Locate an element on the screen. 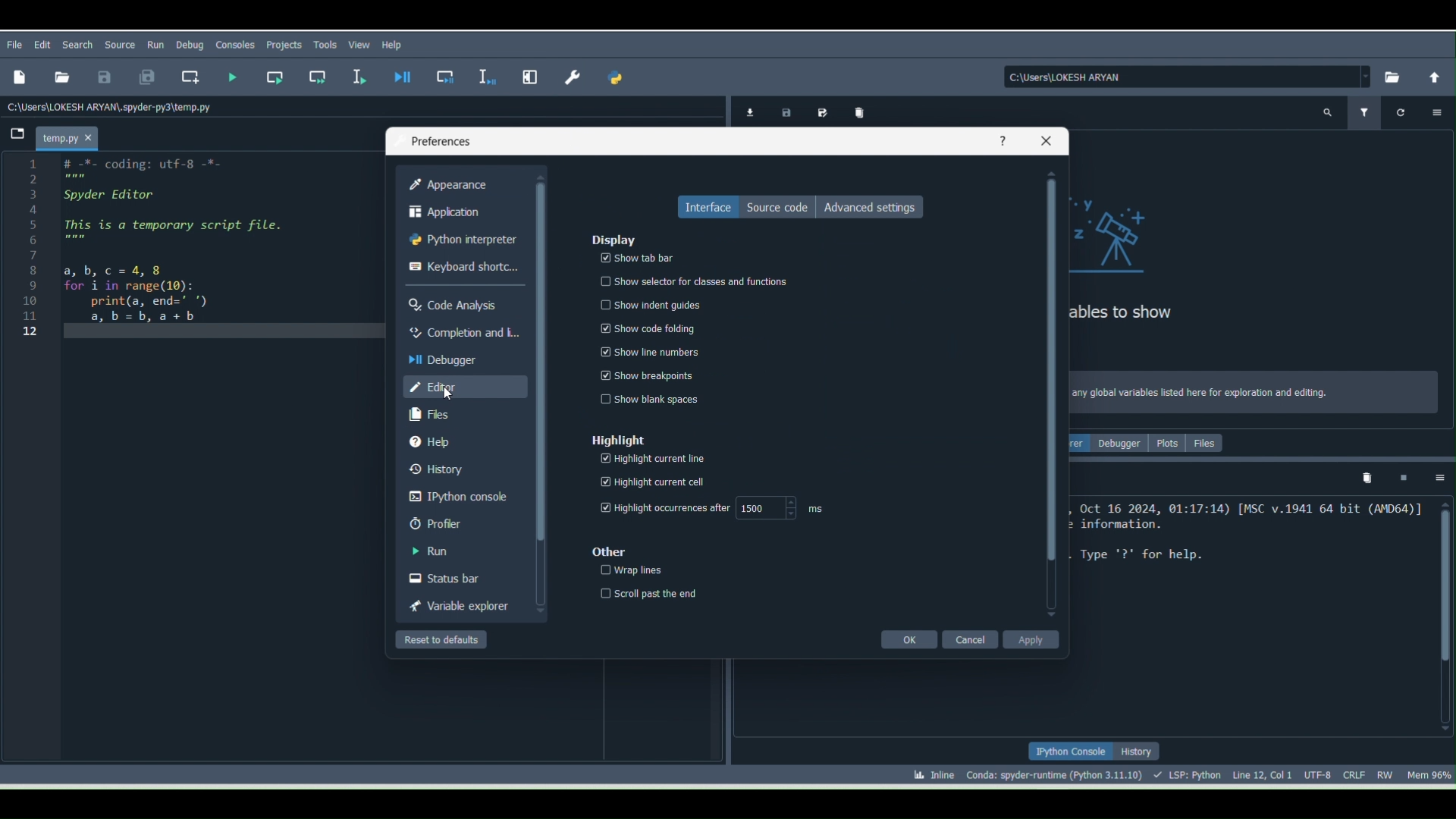  Wrap lines is located at coordinates (625, 572).